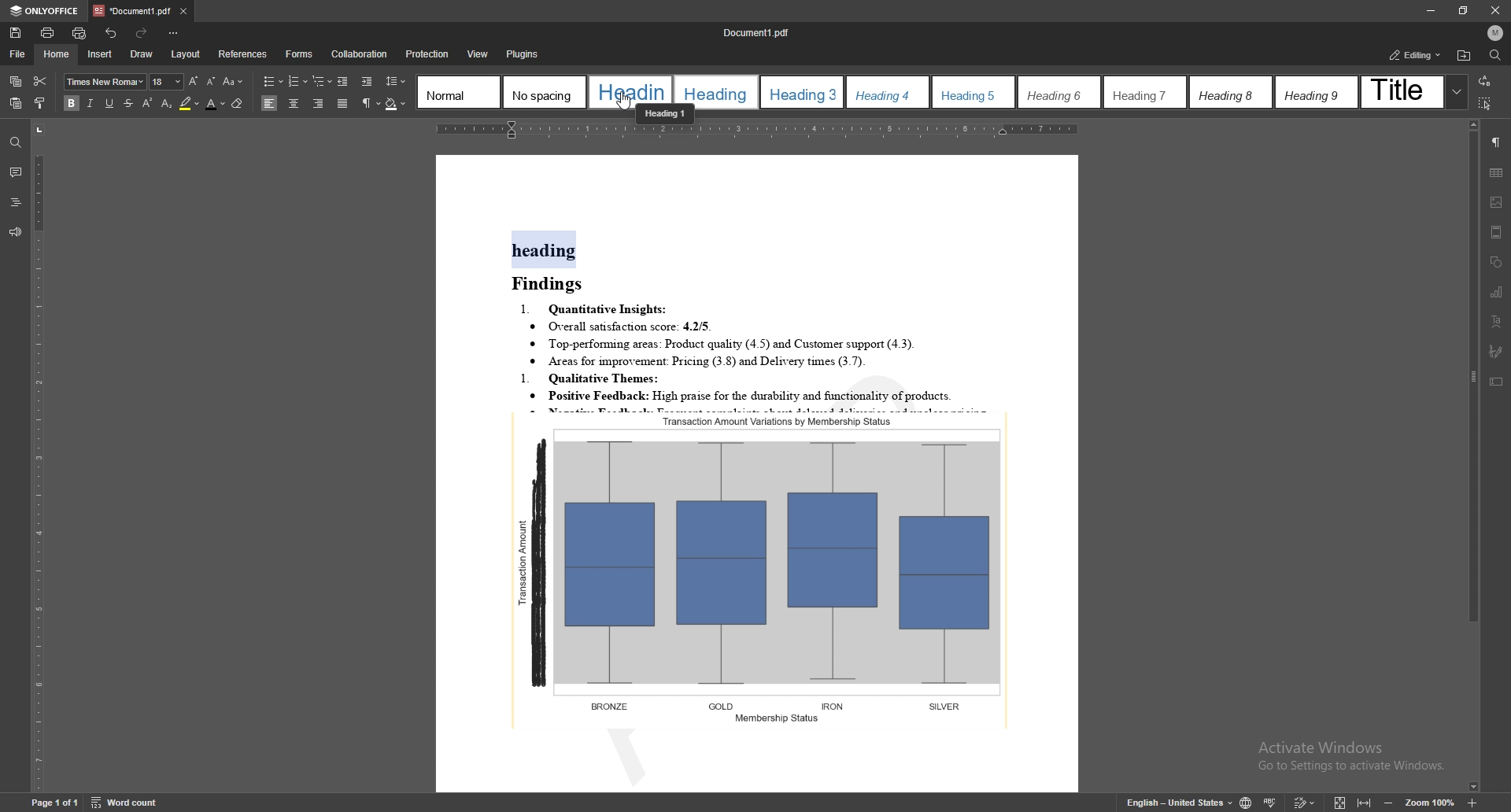 This screenshot has height=812, width=1511. Describe the element at coordinates (131, 10) in the screenshot. I see `tab` at that location.